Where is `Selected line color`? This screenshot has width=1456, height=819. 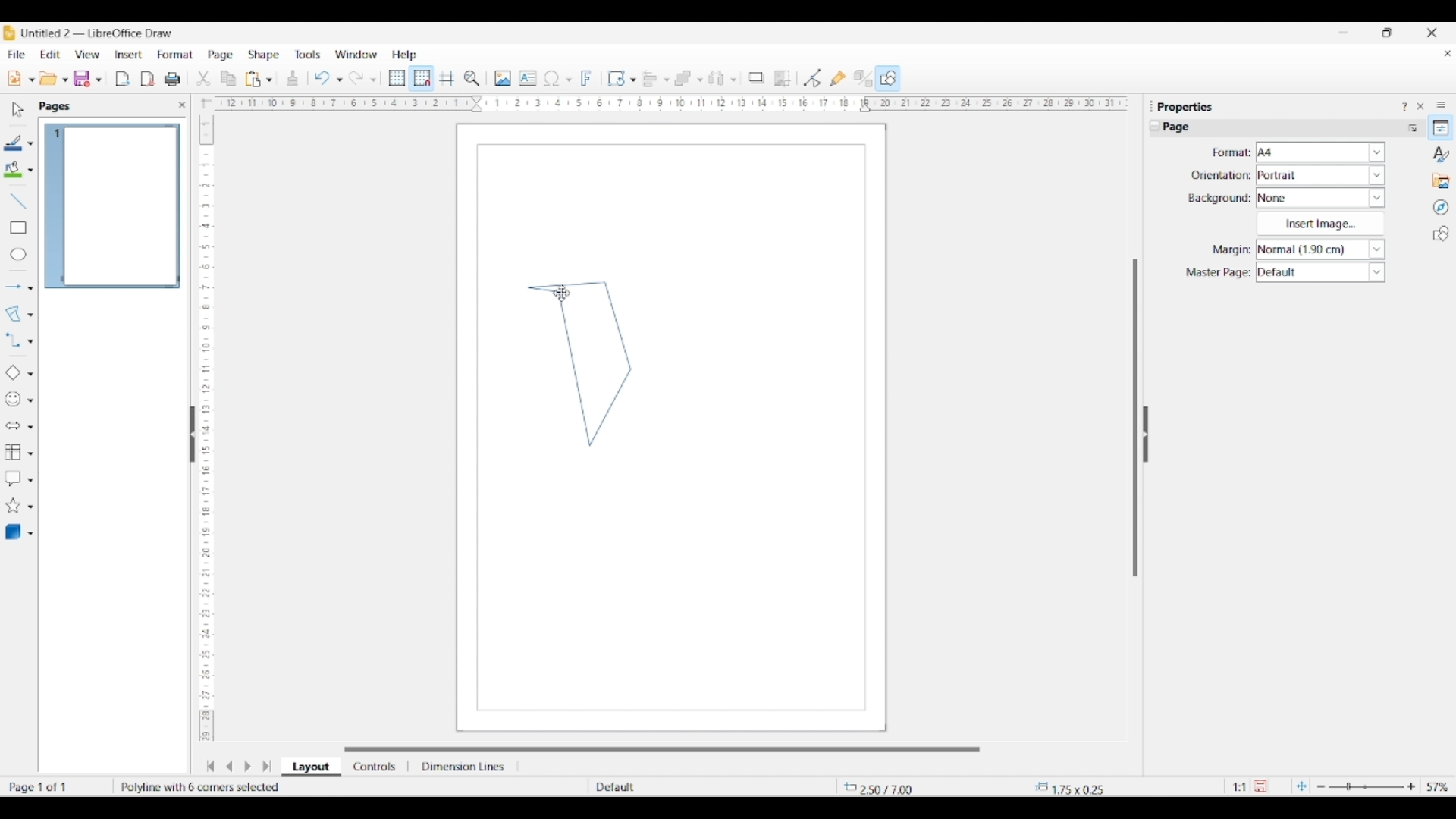 Selected line color is located at coordinates (14, 143).